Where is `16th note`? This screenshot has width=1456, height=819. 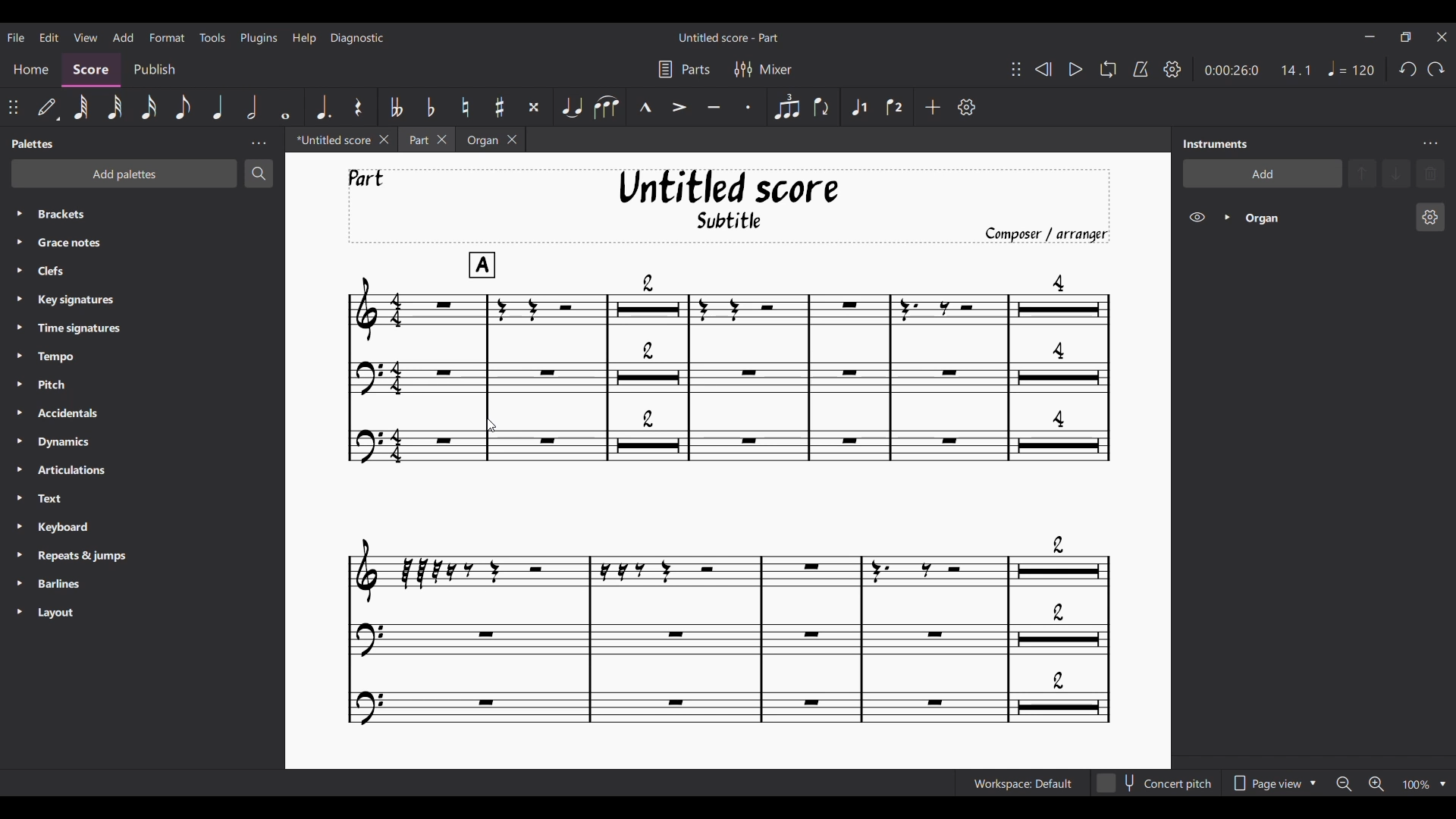 16th note is located at coordinates (149, 107).